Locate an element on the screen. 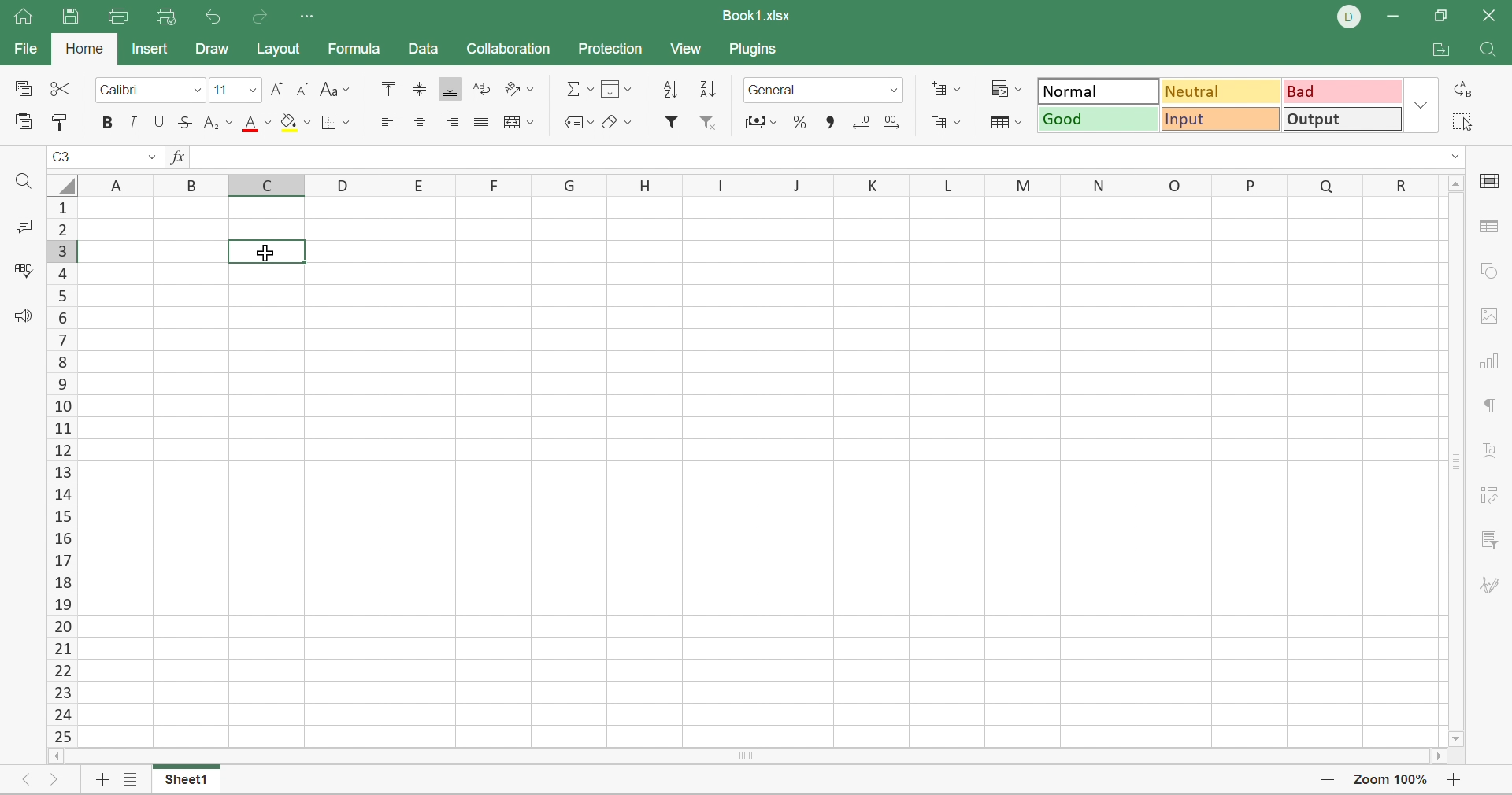 This screenshot has width=1512, height=795. Zoom 100% is located at coordinates (1393, 778).